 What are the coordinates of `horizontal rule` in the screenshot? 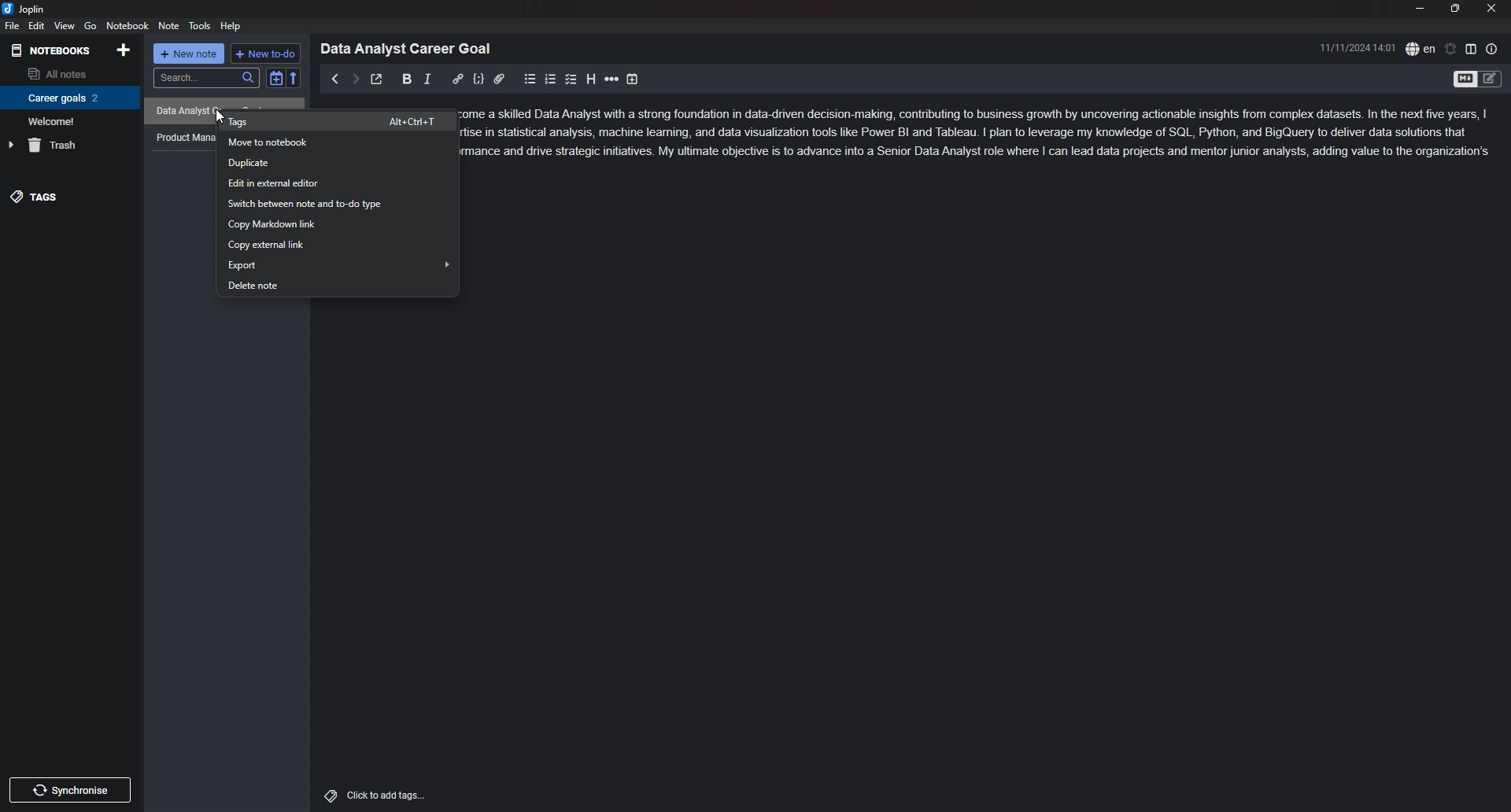 It's located at (611, 79).